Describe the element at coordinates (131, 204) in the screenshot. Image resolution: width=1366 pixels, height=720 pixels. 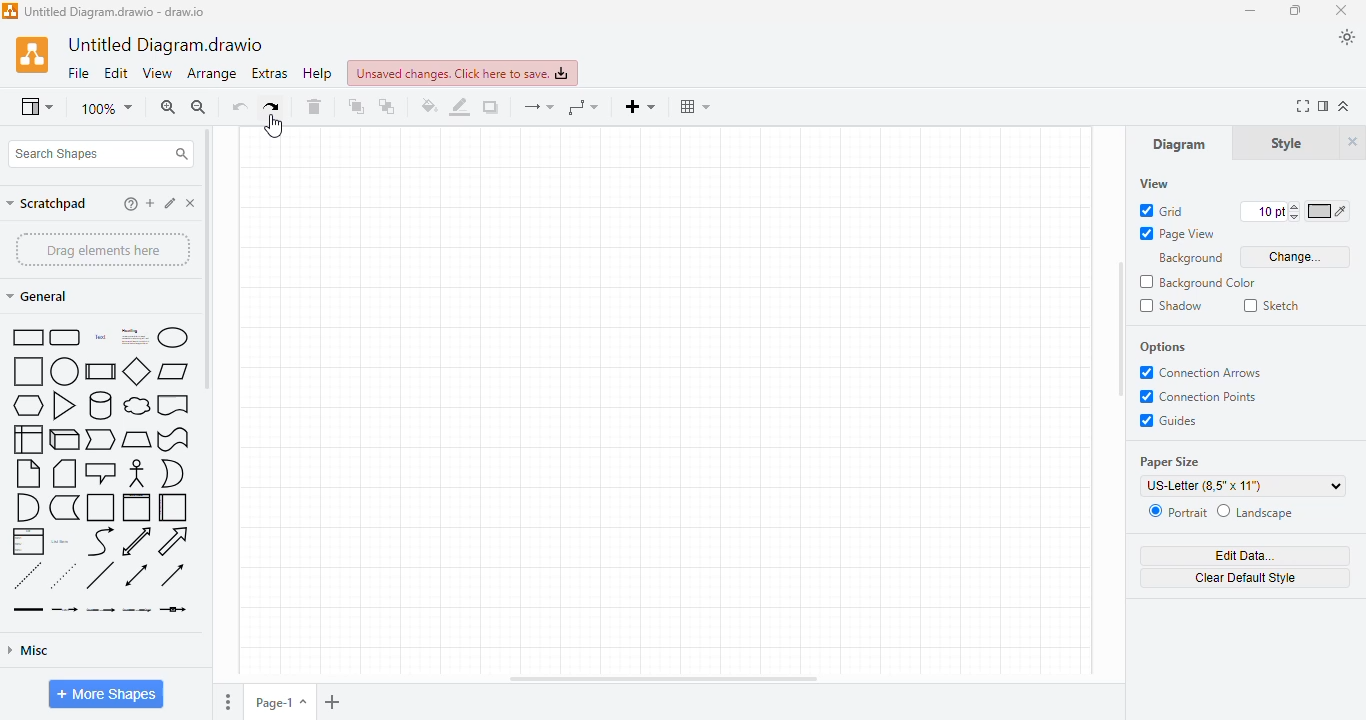
I see `help` at that location.